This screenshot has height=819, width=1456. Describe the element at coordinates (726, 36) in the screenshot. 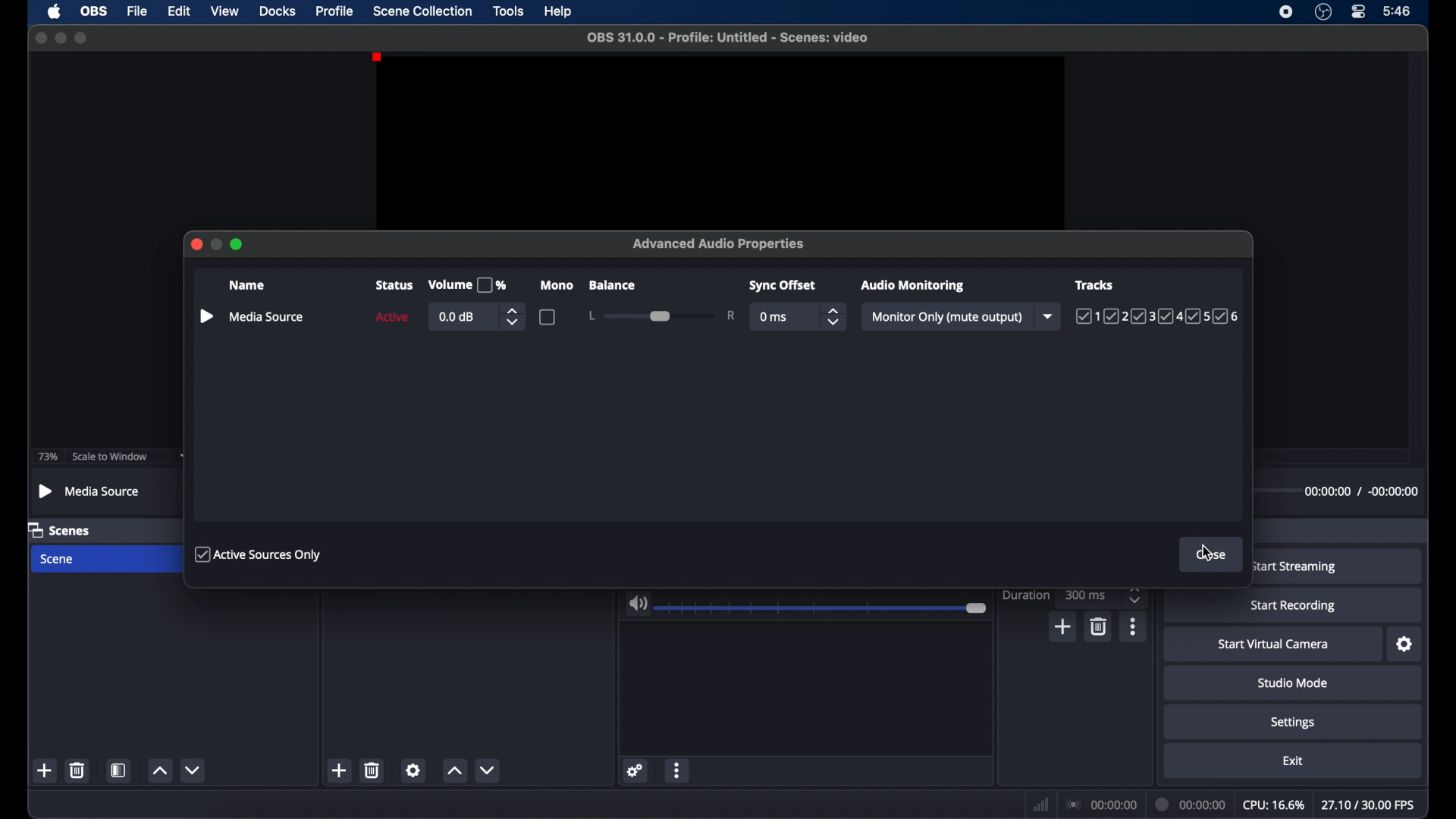

I see `filename` at that location.